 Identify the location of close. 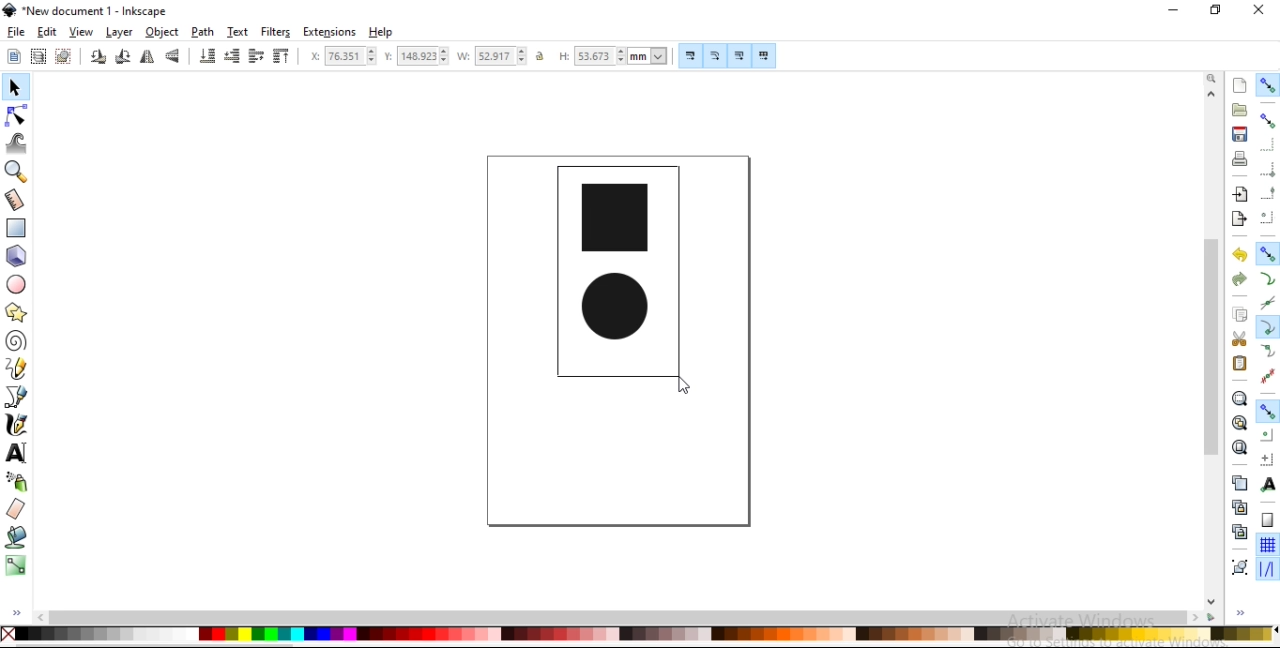
(1258, 10).